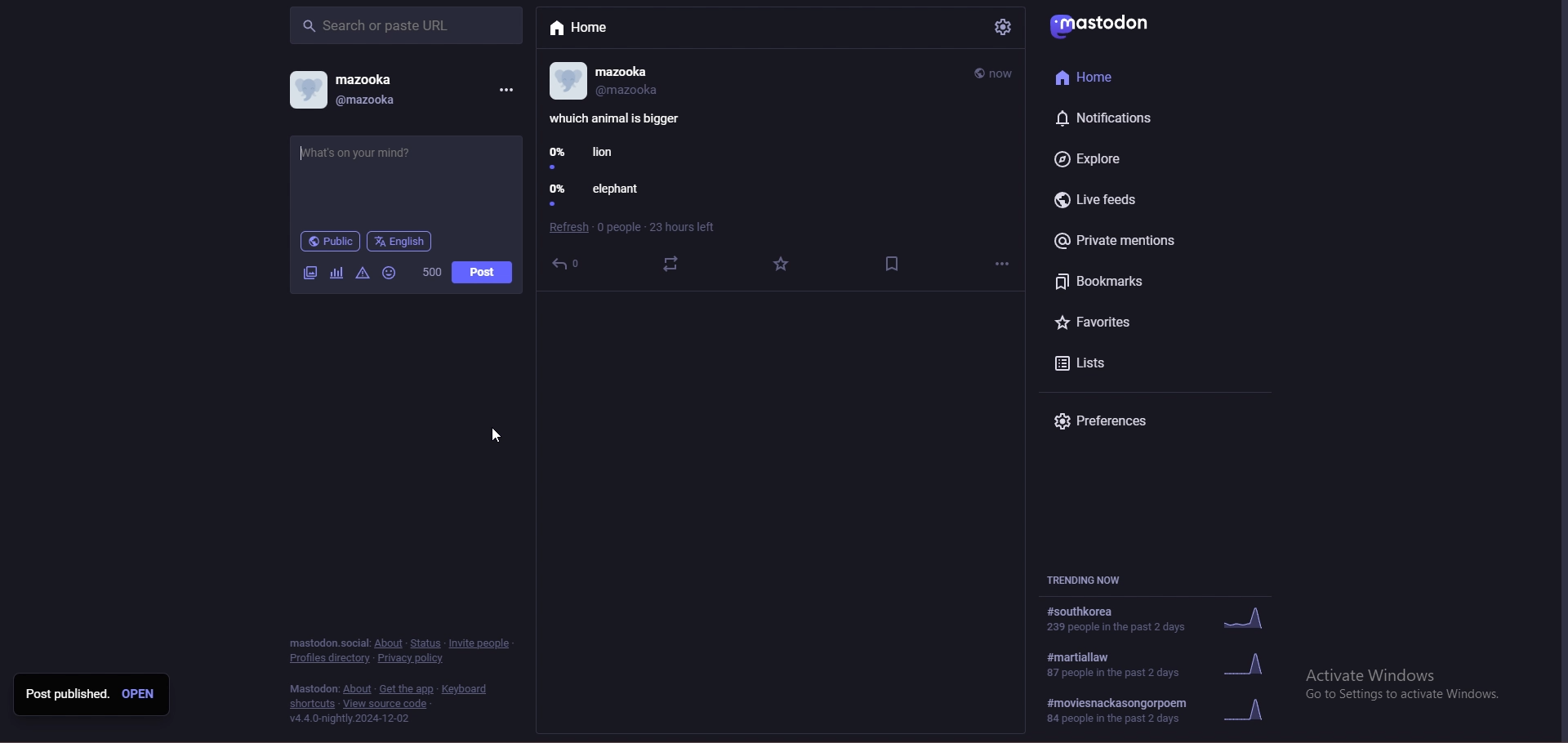 This screenshot has width=1568, height=743. I want to click on trend, so click(1166, 665).